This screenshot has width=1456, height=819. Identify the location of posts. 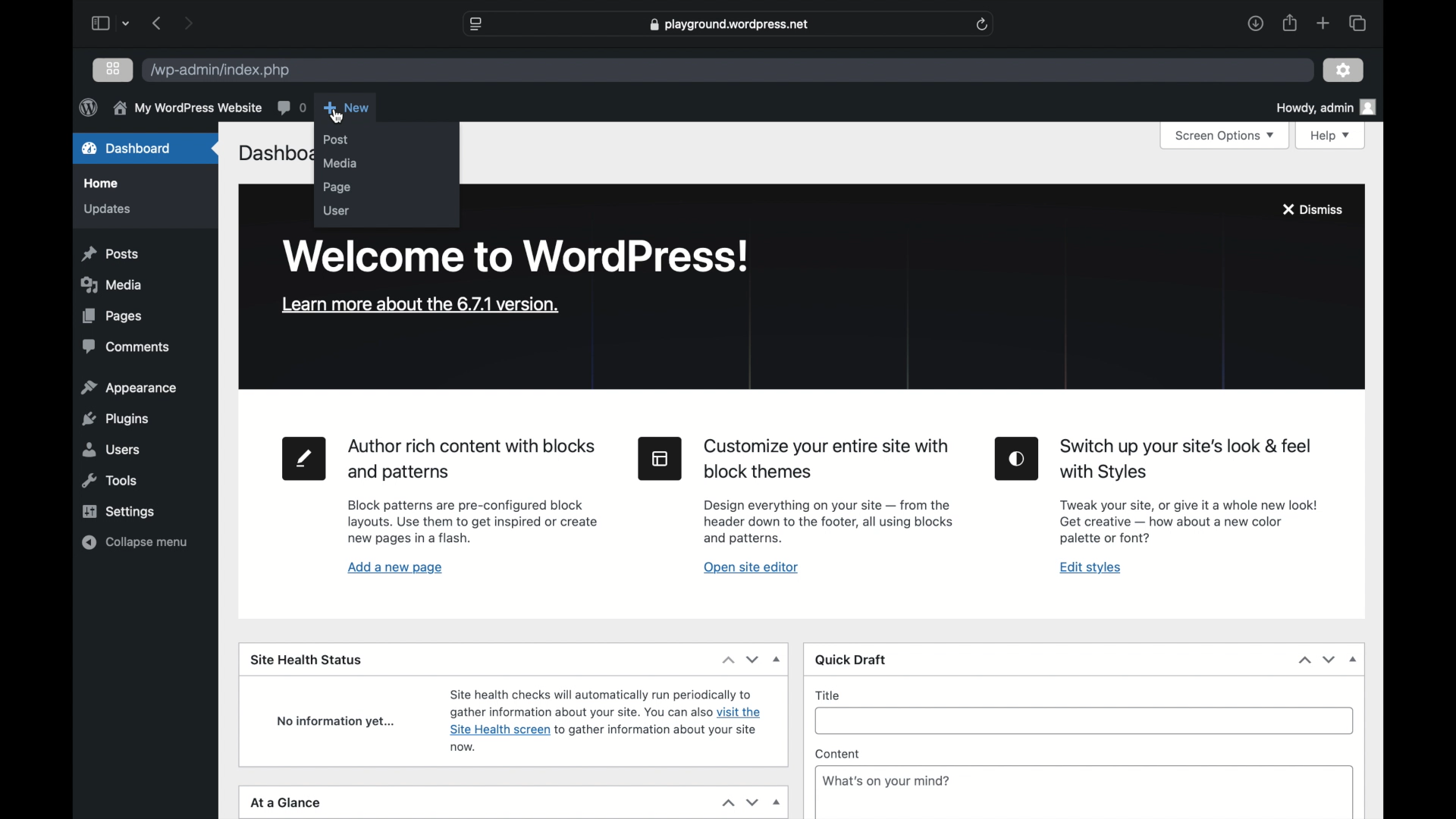
(111, 255).